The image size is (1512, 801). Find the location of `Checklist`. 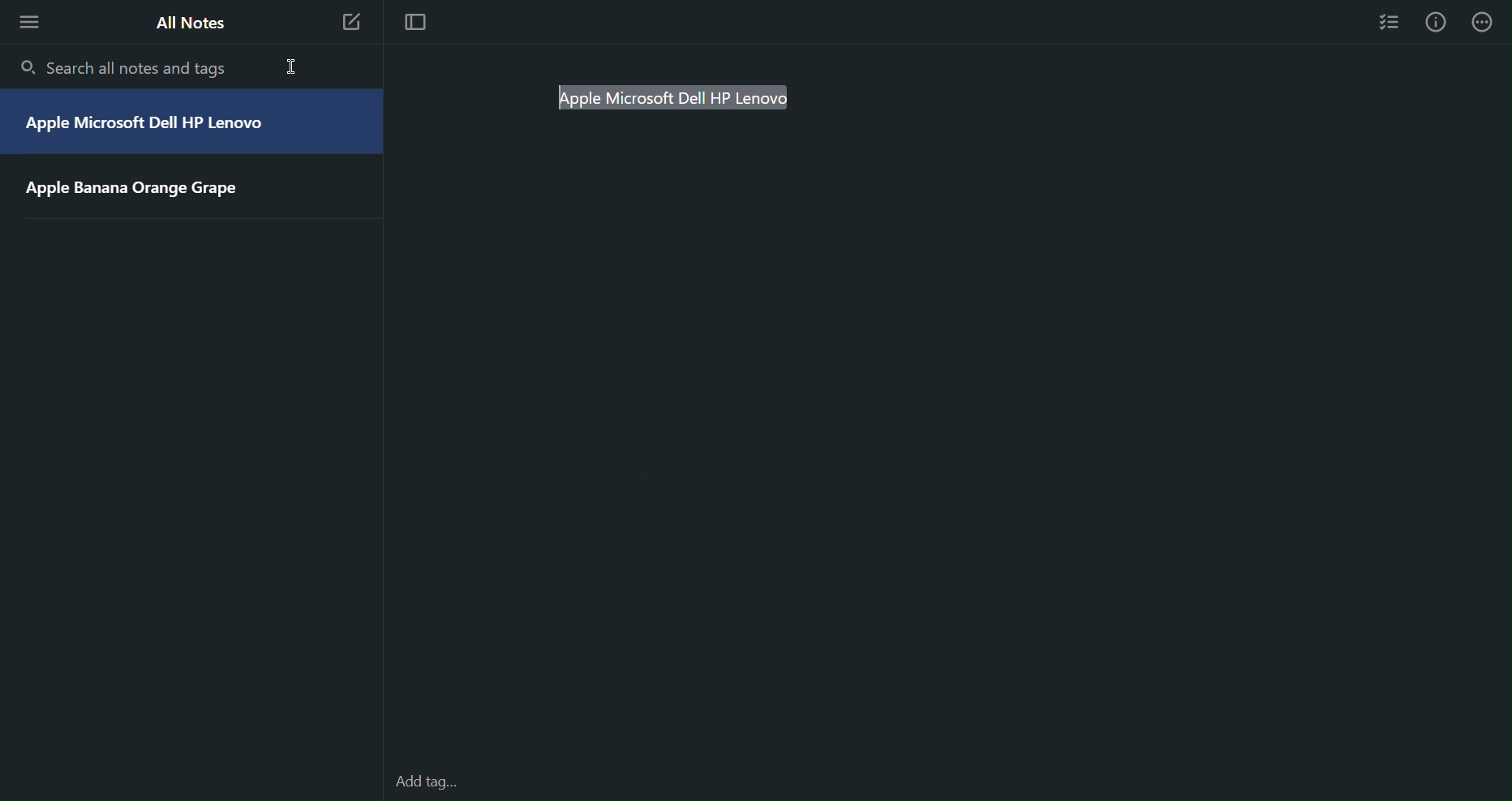

Checklist is located at coordinates (1389, 22).